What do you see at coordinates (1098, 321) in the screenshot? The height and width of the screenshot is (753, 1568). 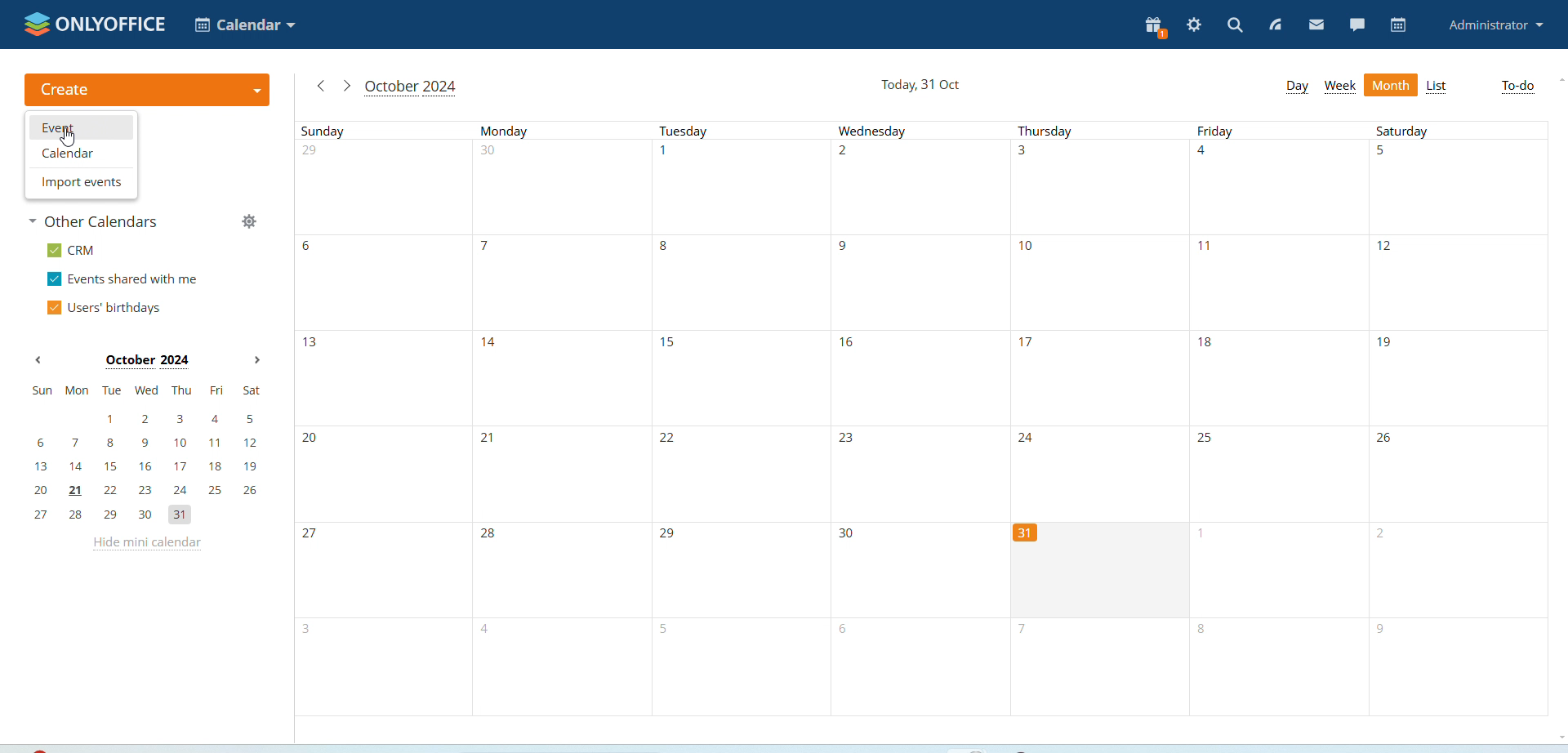 I see `Thursdays` at bounding box center [1098, 321].